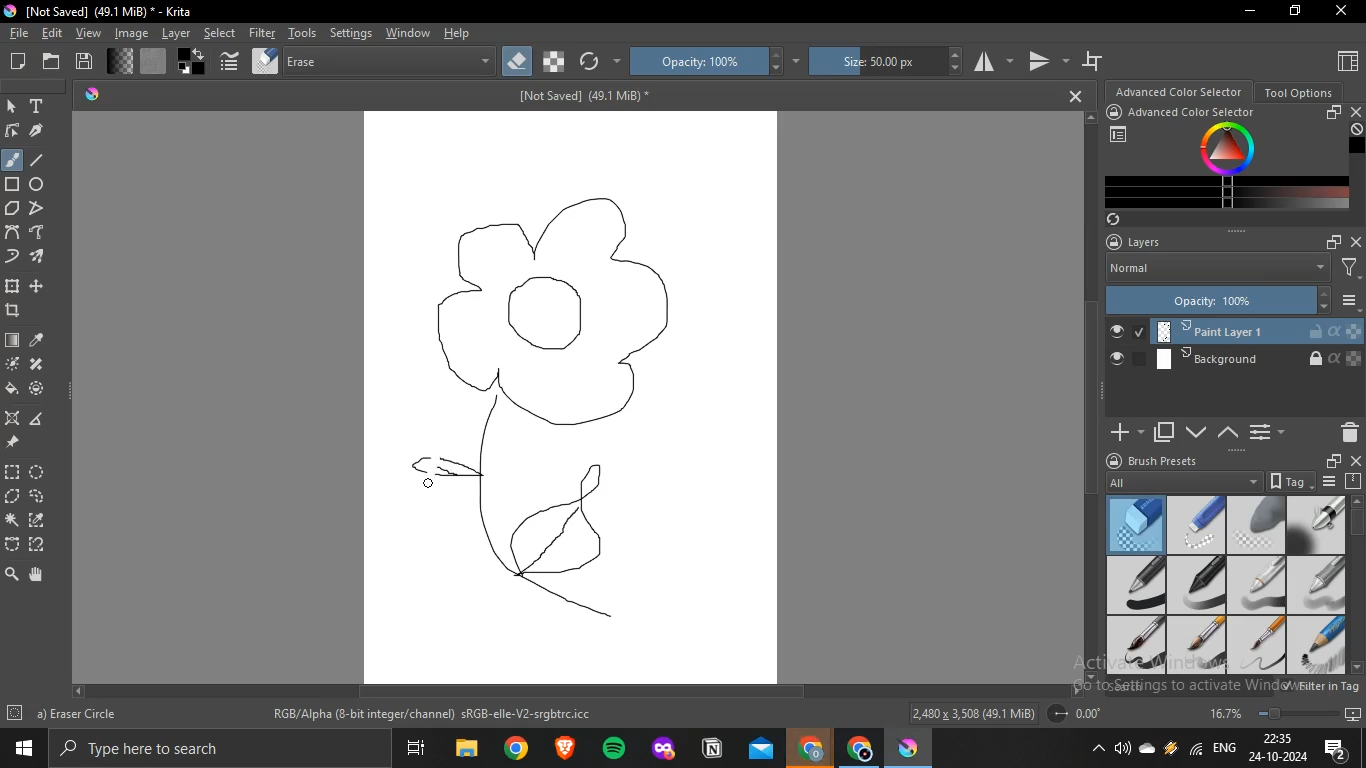 Image resolution: width=1366 pixels, height=768 pixels. Describe the element at coordinates (1196, 431) in the screenshot. I see `mask down` at that location.